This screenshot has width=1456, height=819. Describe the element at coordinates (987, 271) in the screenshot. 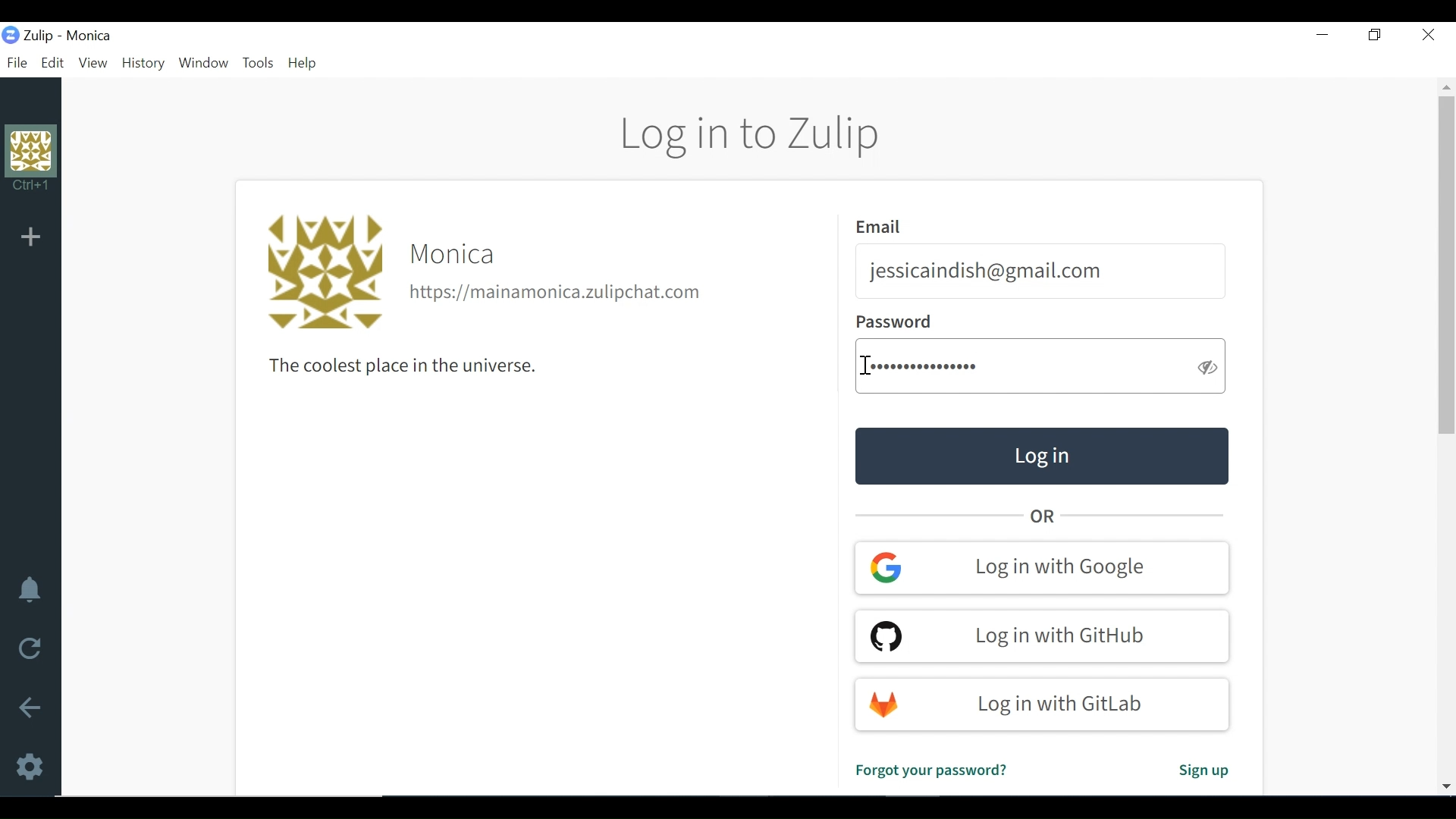

I see `jessicaindish@gmail.com|` at that location.